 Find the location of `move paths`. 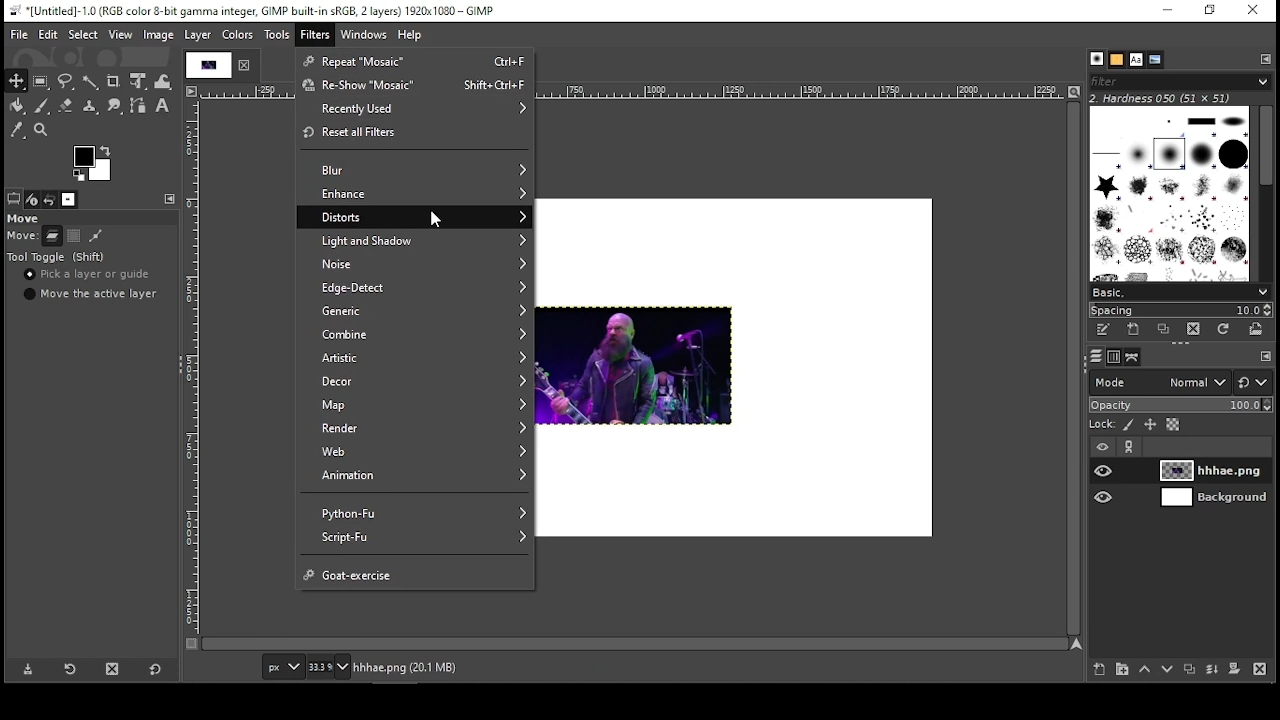

move paths is located at coordinates (96, 236).